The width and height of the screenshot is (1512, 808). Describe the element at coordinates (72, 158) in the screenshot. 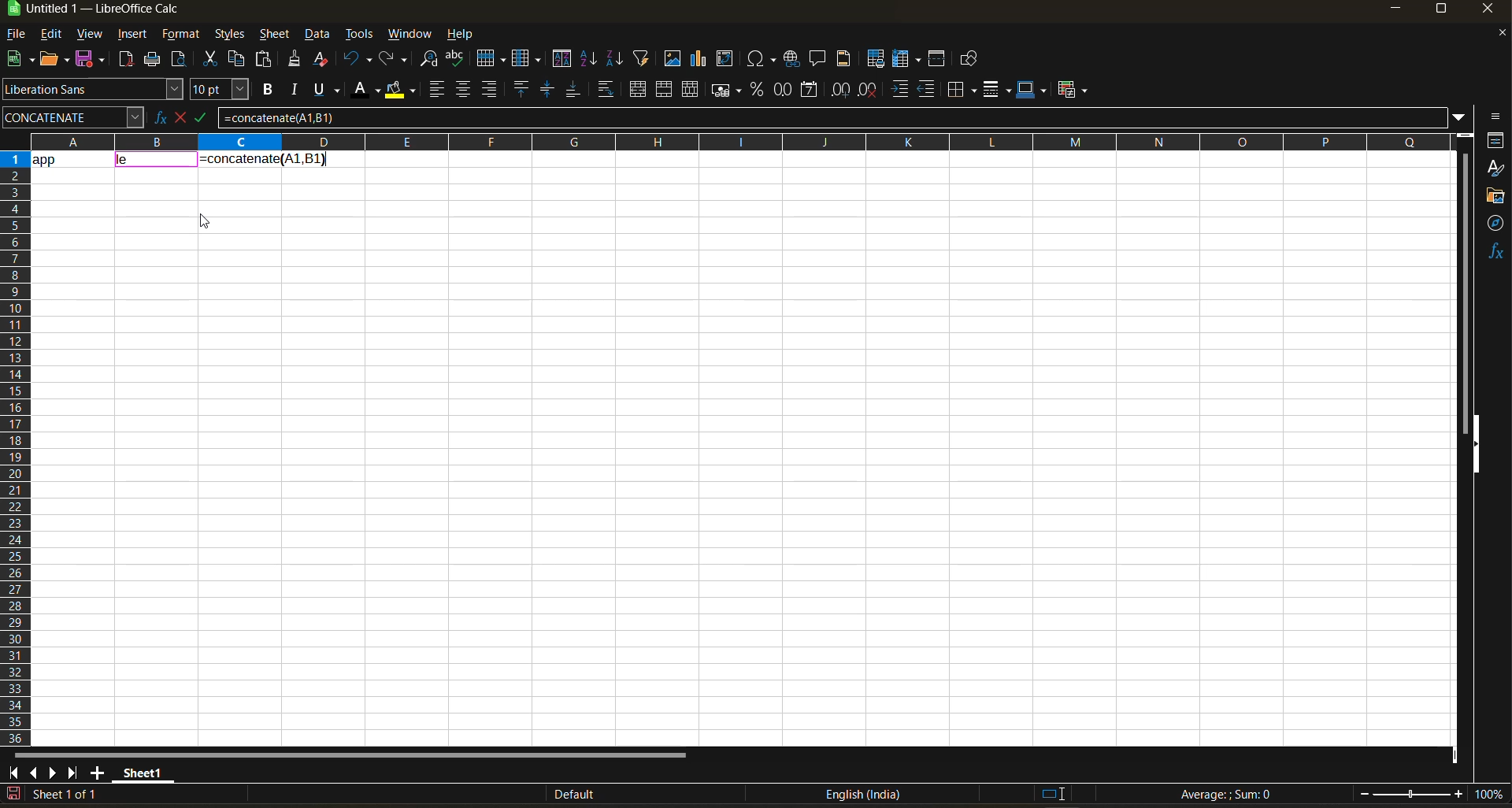

I see `data` at that location.